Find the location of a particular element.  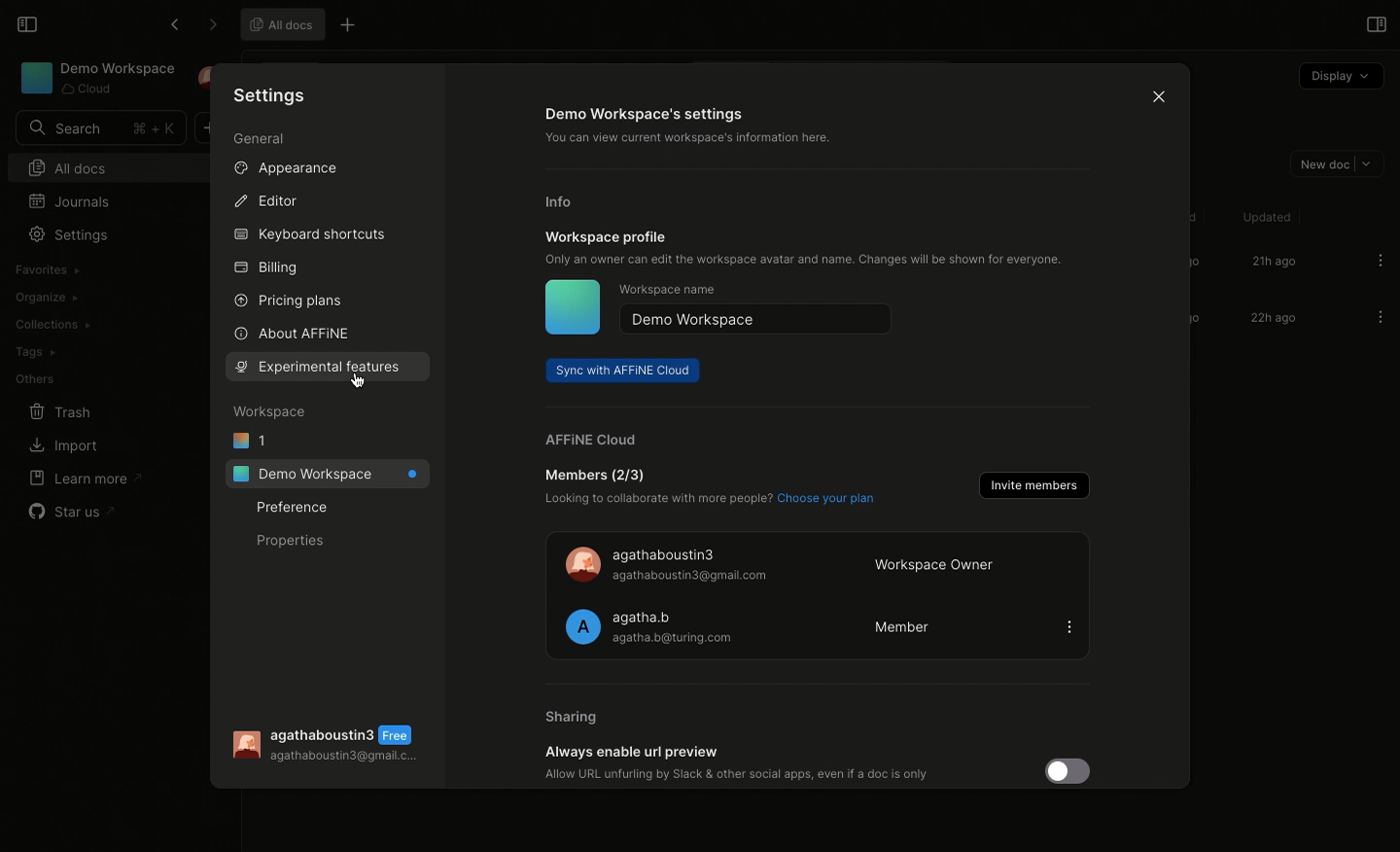

All docs is located at coordinates (279, 23).